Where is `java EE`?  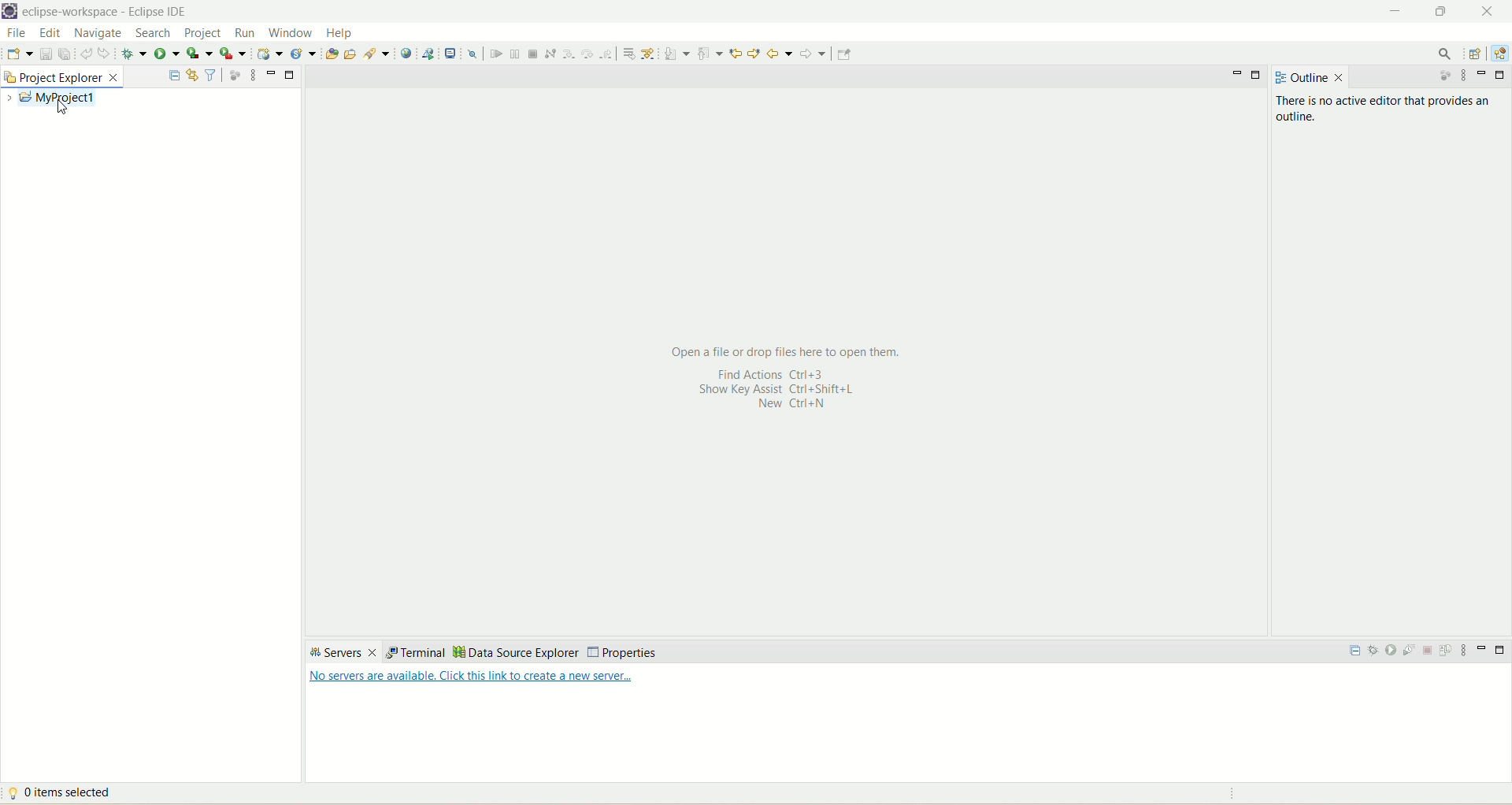 java EE is located at coordinates (1501, 53).